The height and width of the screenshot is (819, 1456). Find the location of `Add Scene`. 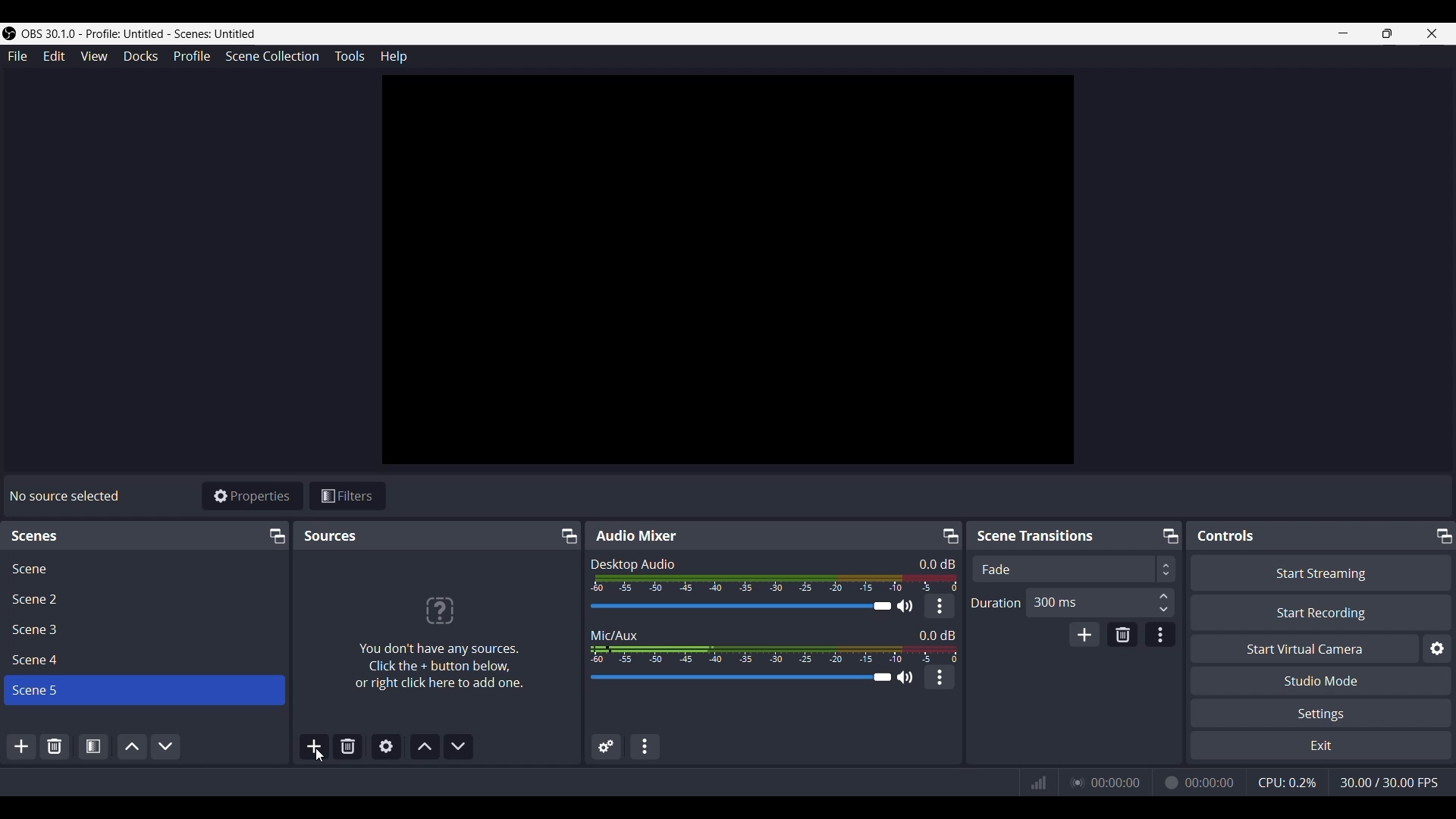

Add Scene is located at coordinates (21, 746).